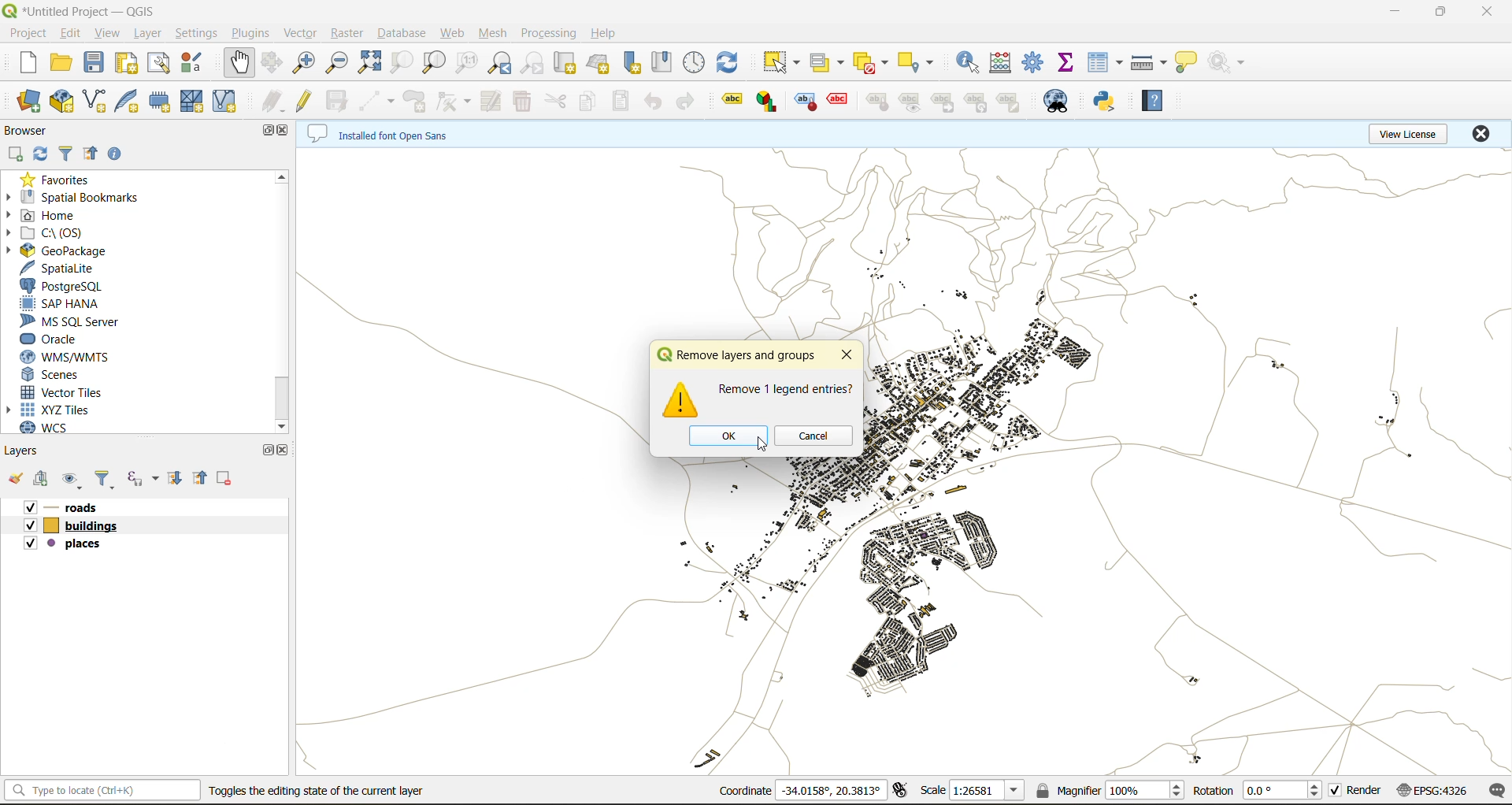  What do you see at coordinates (599, 61) in the screenshot?
I see `new 3d map` at bounding box center [599, 61].